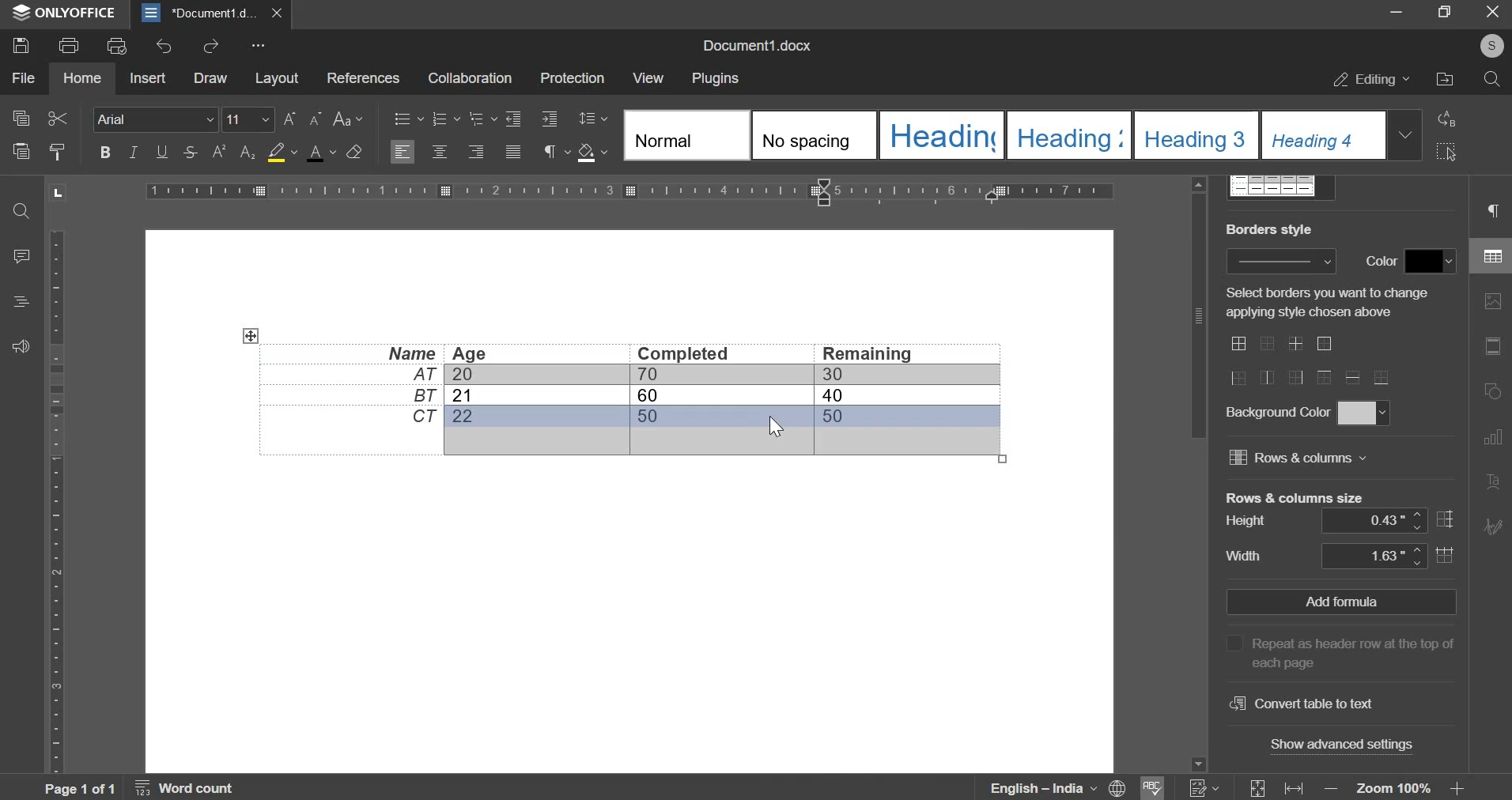 This screenshot has width=1512, height=800. Describe the element at coordinates (55, 501) in the screenshot. I see `vertical scale` at that location.